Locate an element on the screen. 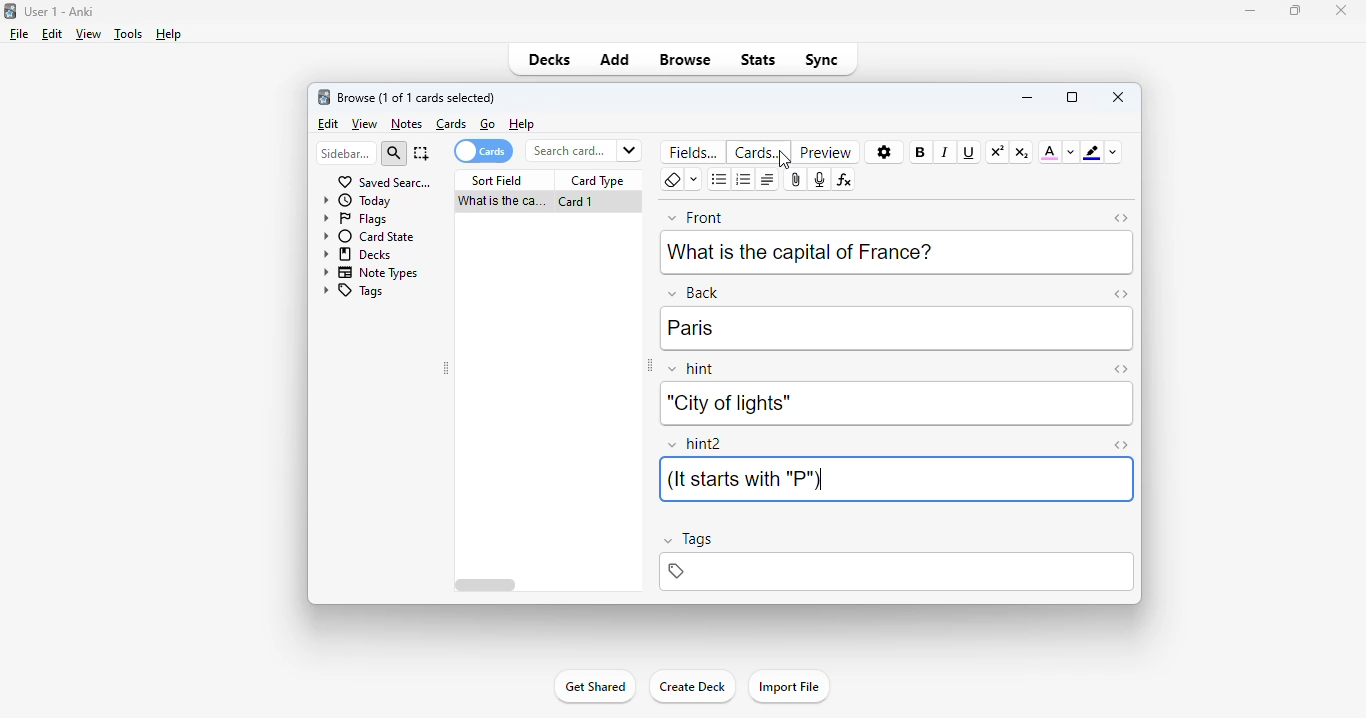 This screenshot has width=1366, height=718. horizontal scroll bar is located at coordinates (488, 586).